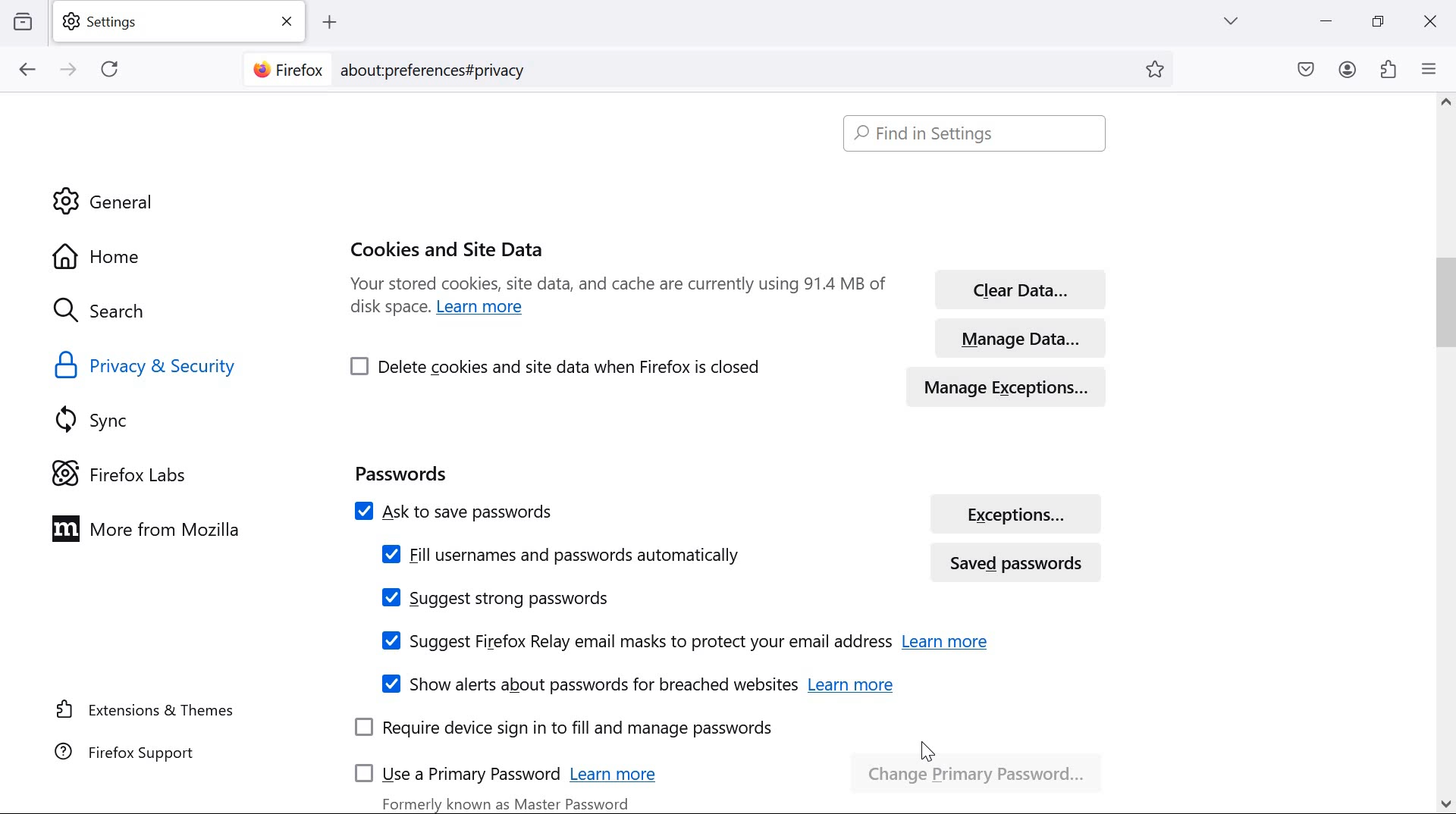 The image size is (1456, 814). I want to click on Firefox Labs, so click(132, 472).